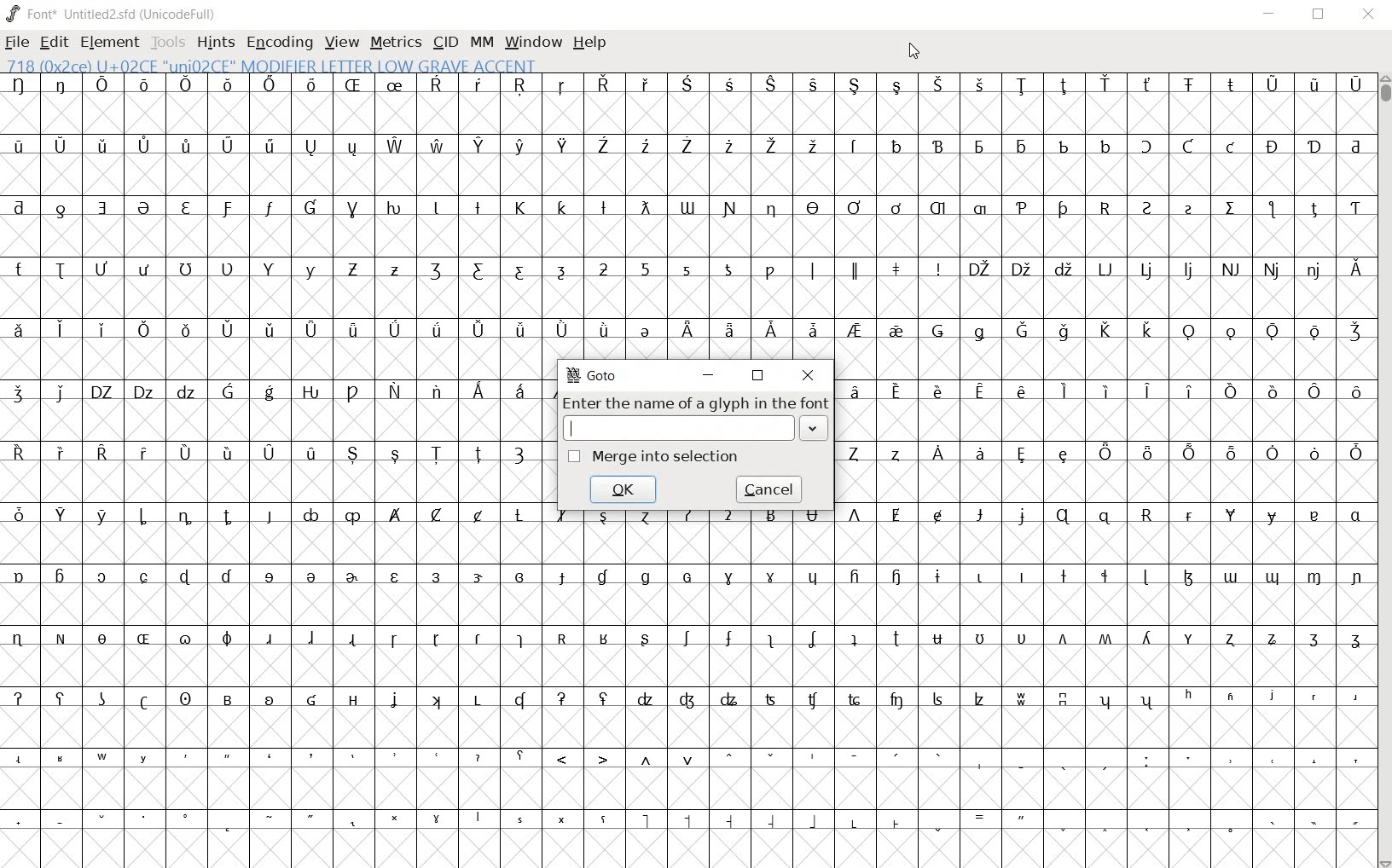 The height and width of the screenshot is (868, 1392). What do you see at coordinates (279, 43) in the screenshot?
I see `Encoding` at bounding box center [279, 43].